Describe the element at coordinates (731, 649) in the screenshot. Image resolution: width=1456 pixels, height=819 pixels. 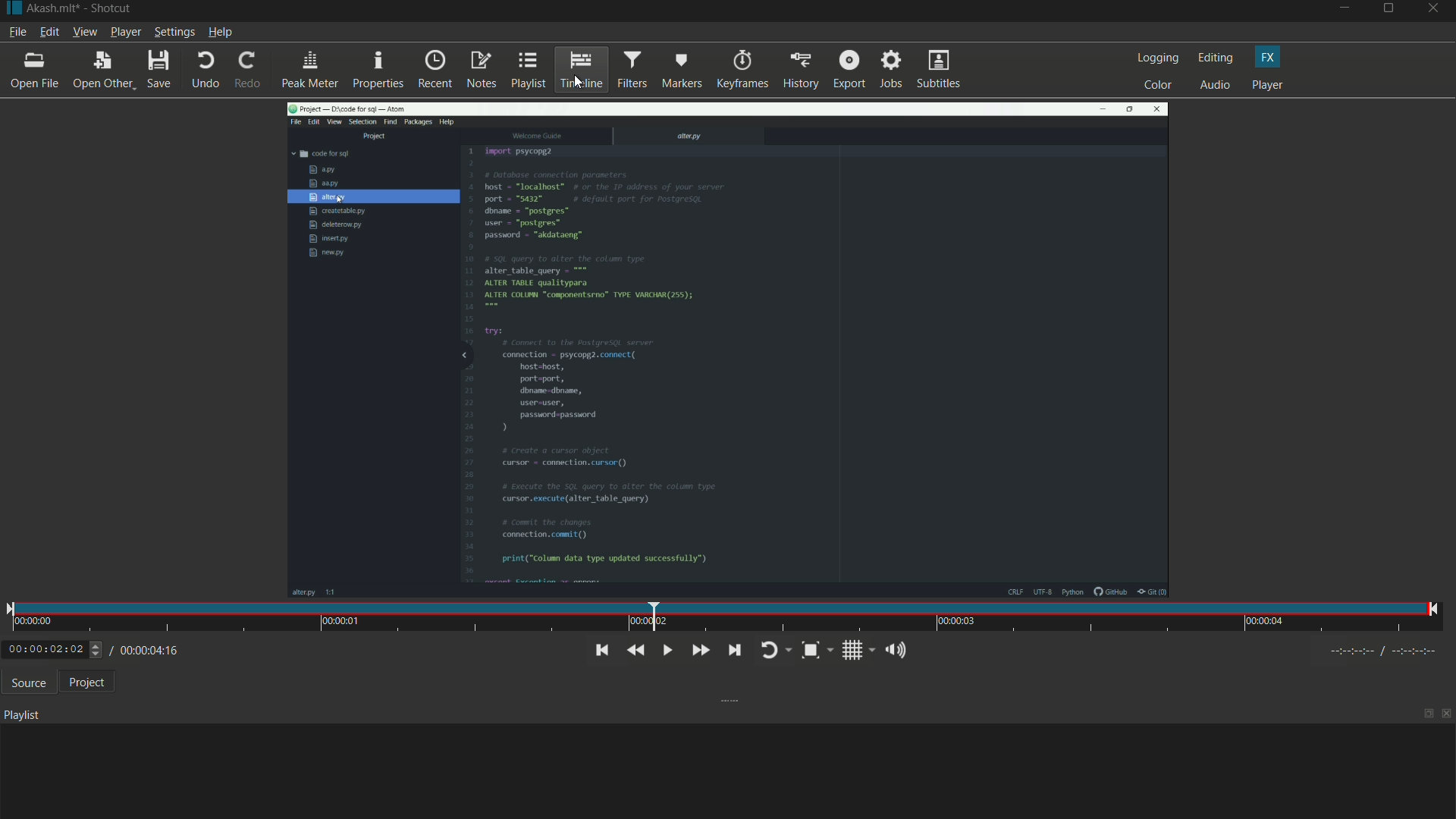
I see `skip to the next point` at that location.